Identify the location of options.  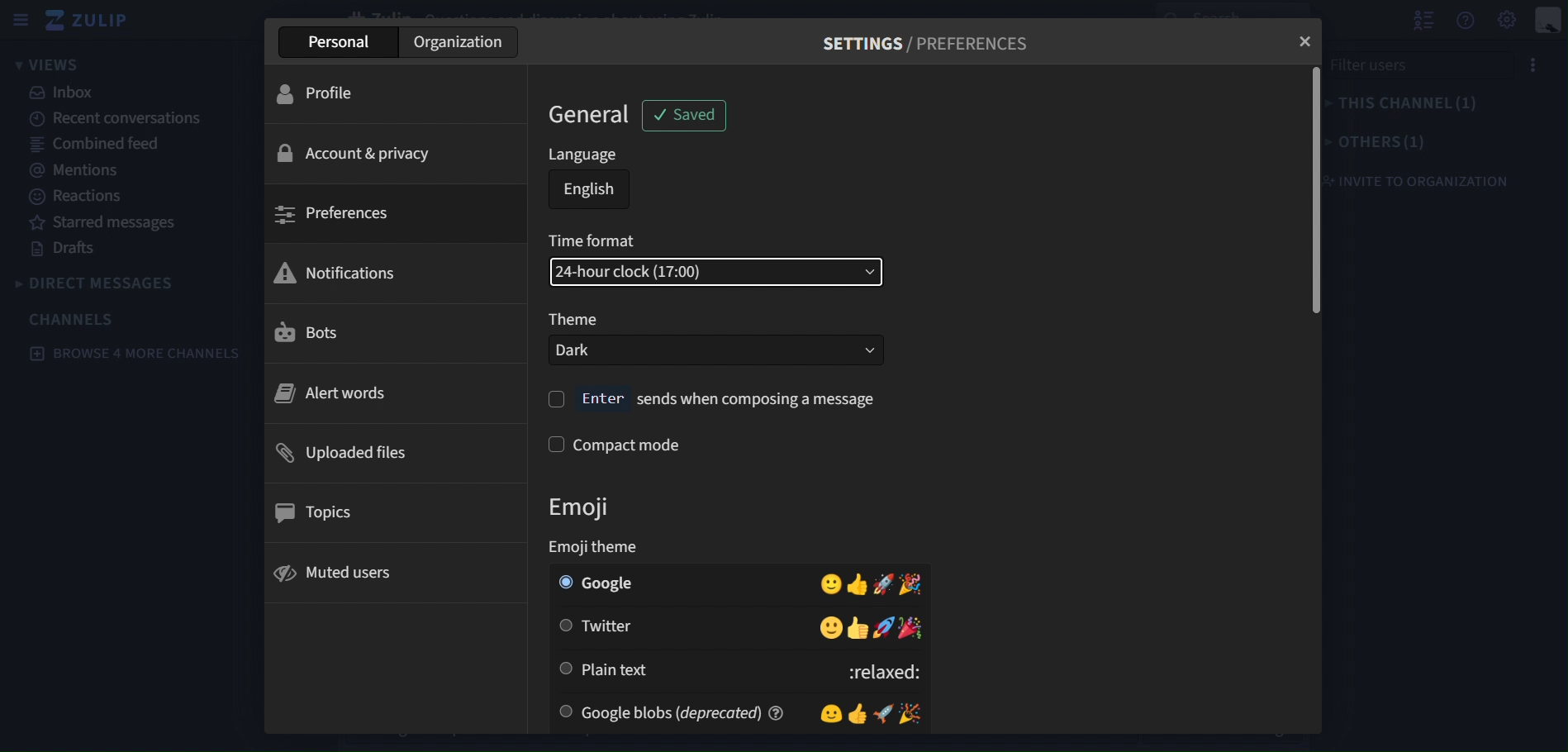
(1535, 63).